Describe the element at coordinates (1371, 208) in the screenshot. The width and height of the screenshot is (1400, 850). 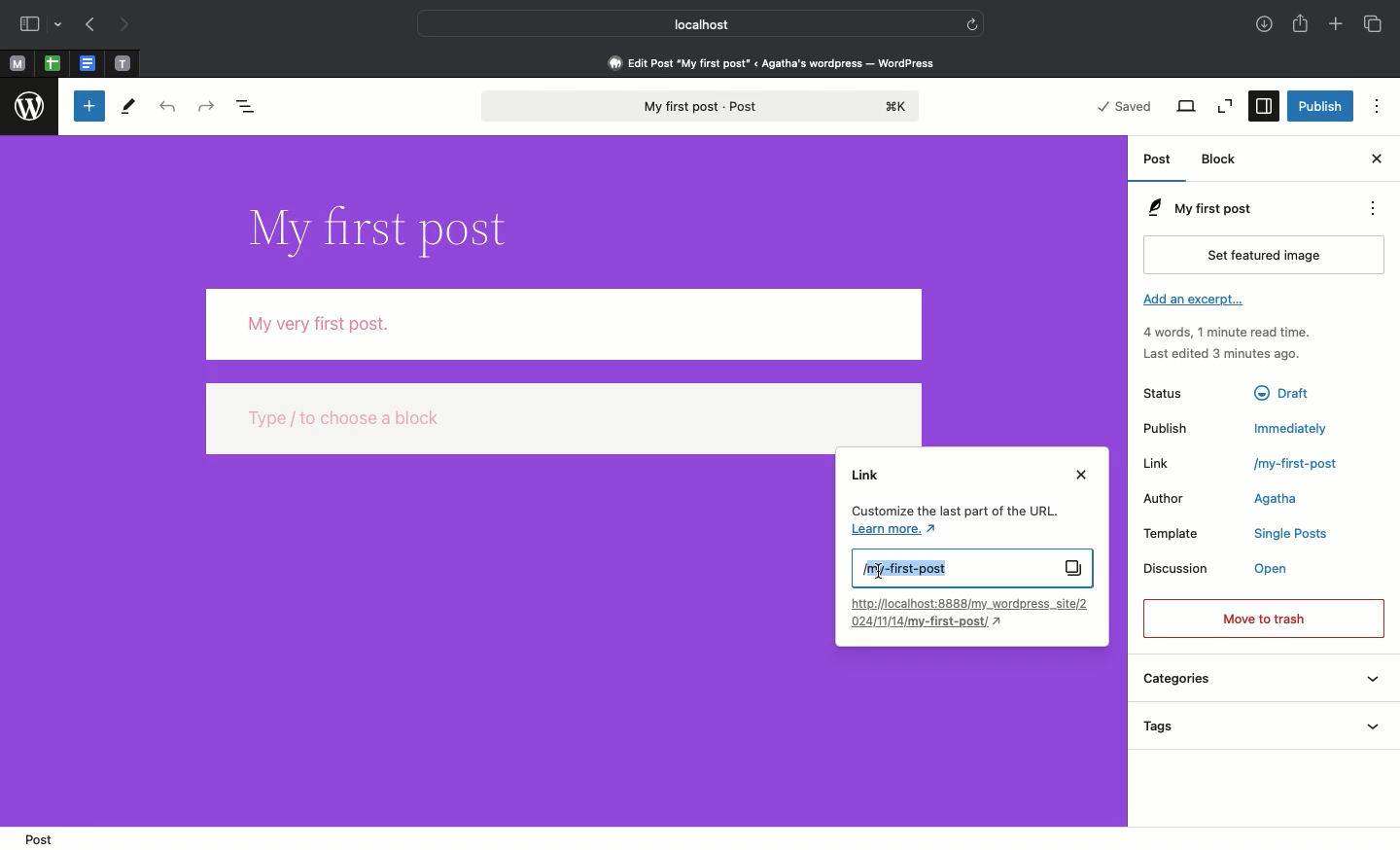
I see `Actions` at that location.